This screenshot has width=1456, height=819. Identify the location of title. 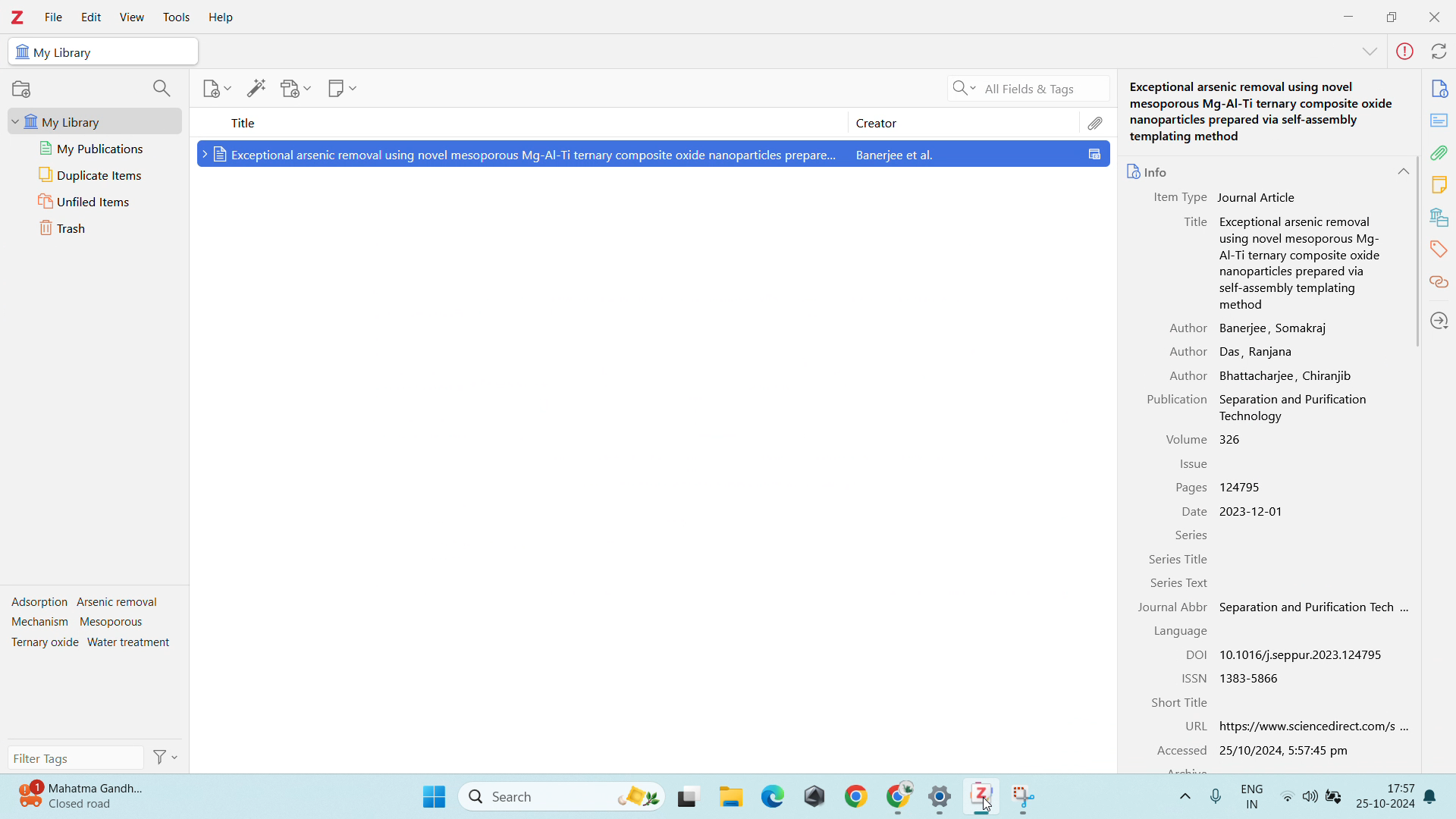
(507, 121).